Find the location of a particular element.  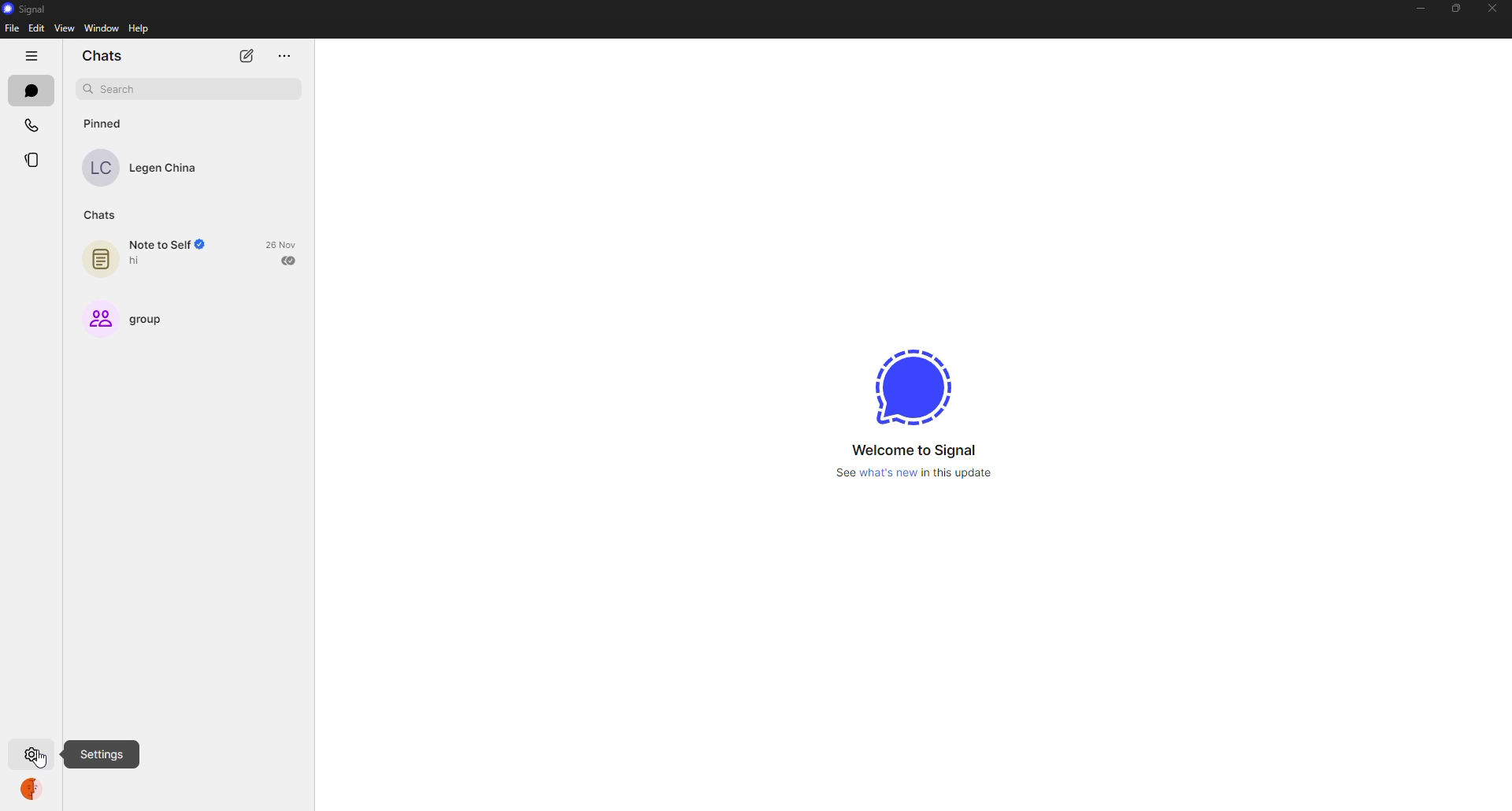

welcome to signal is located at coordinates (918, 450).